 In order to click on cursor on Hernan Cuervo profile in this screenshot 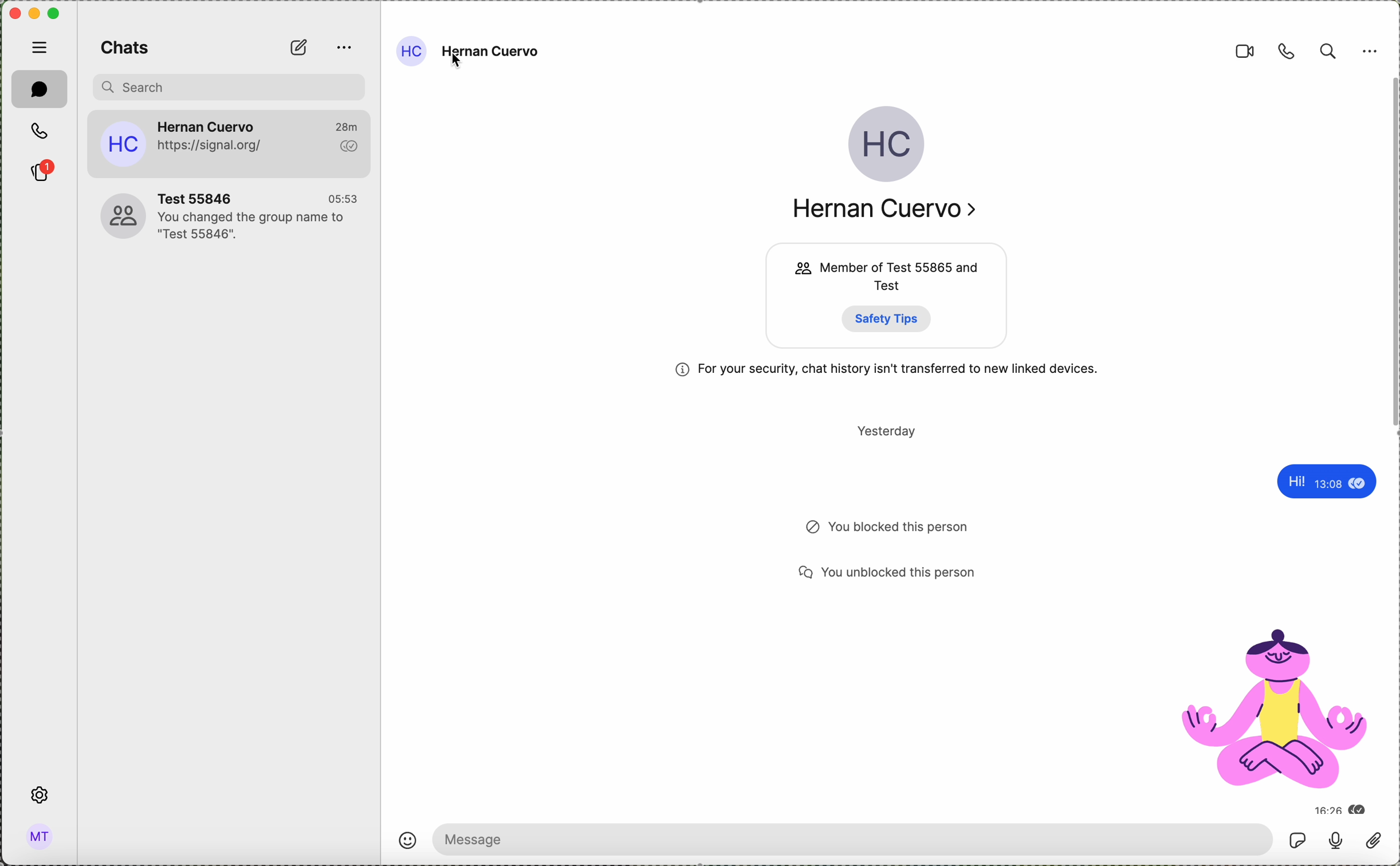, I will do `click(514, 52)`.